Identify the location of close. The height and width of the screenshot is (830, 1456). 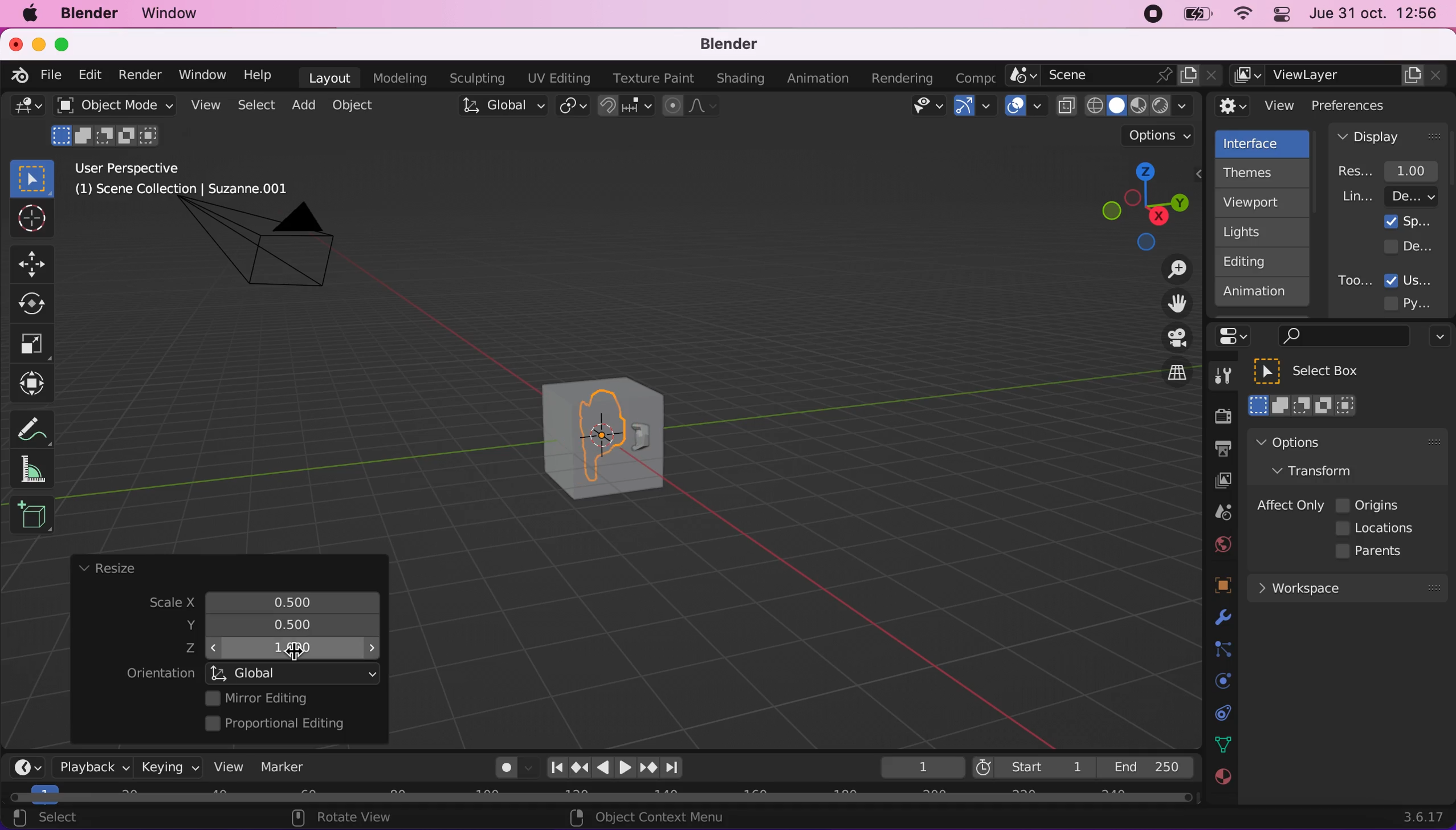
(15, 43).